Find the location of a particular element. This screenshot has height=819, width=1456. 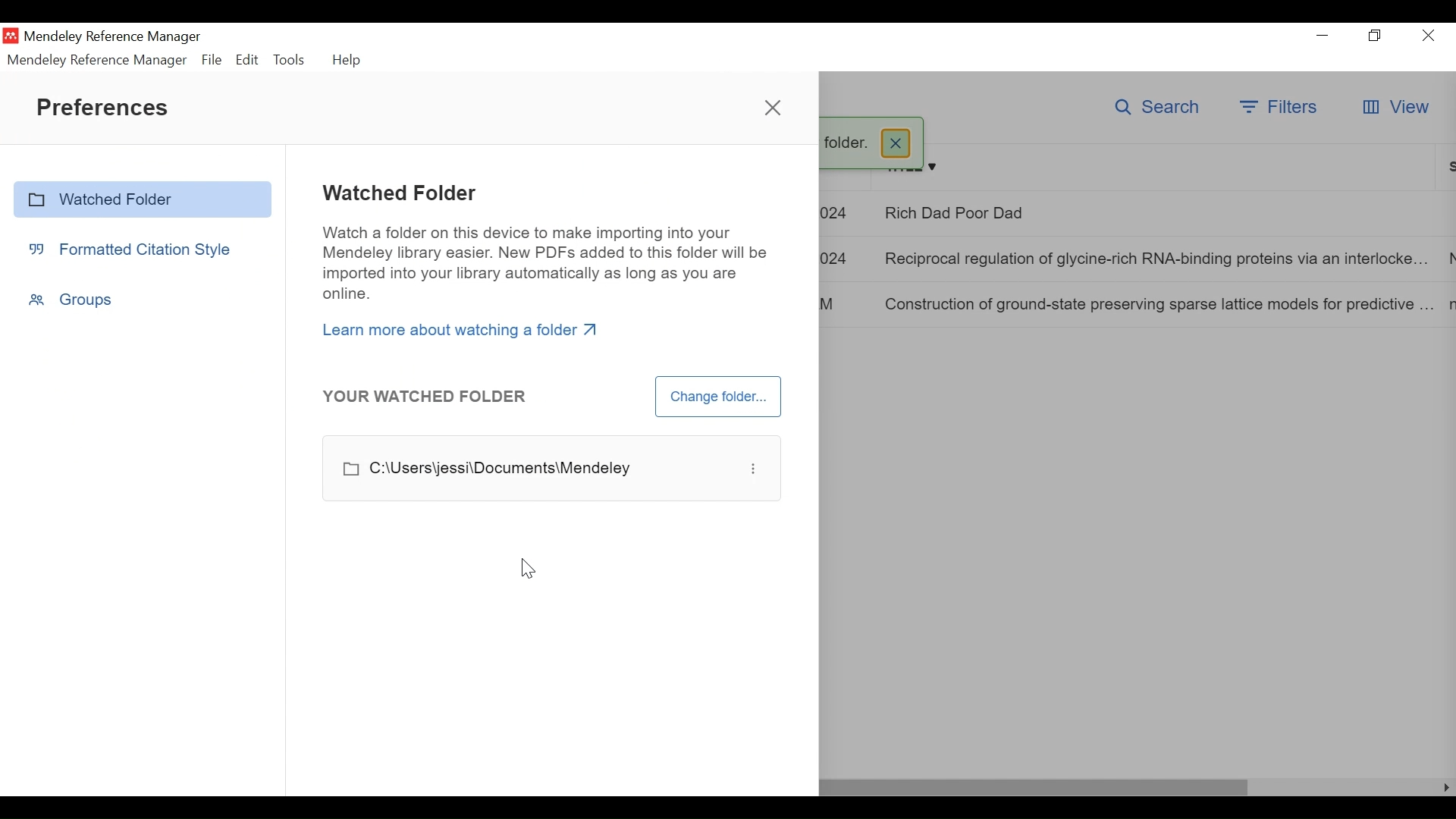

Preferences is located at coordinates (110, 108).